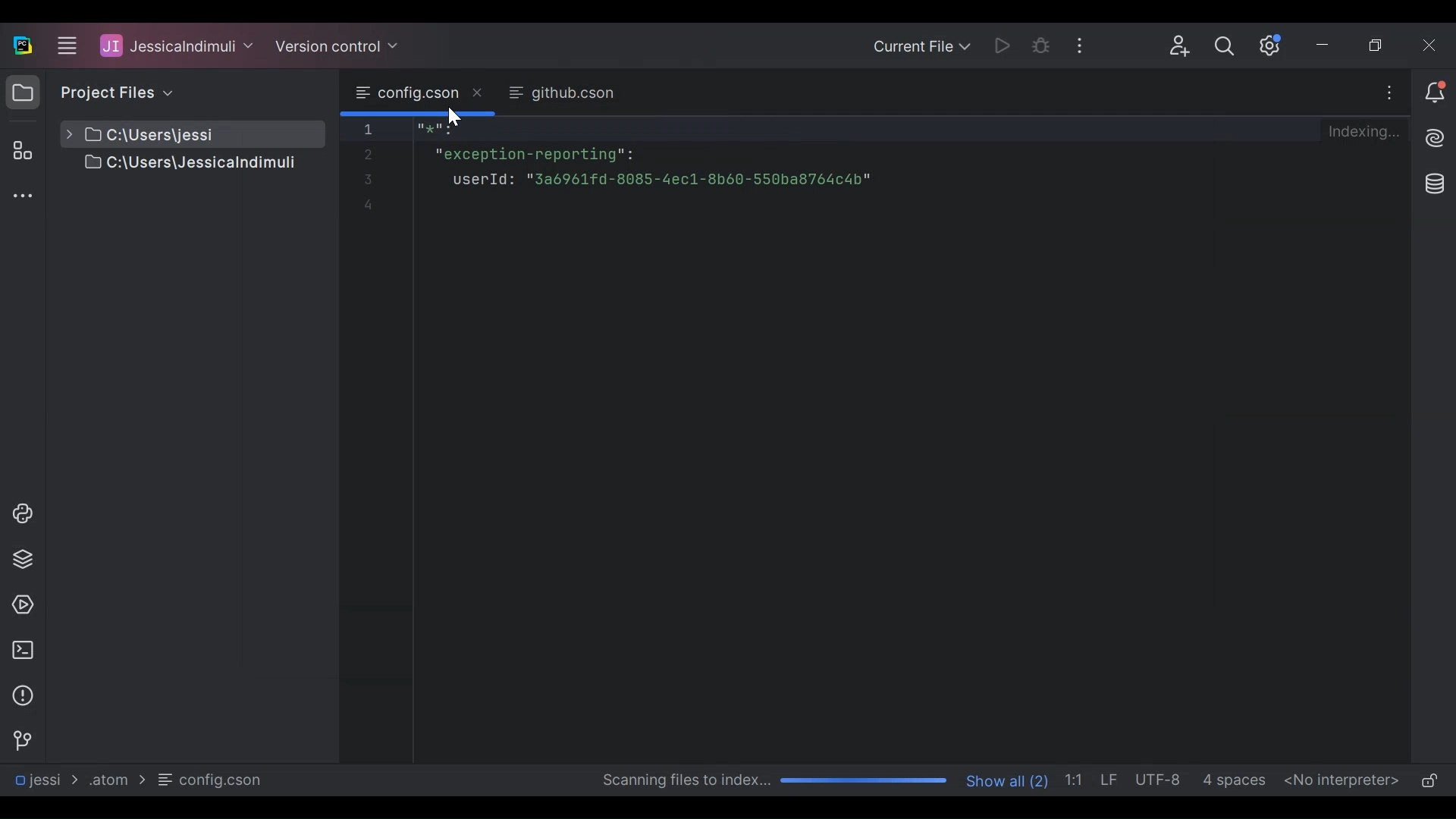  I want to click on More, so click(1389, 93).